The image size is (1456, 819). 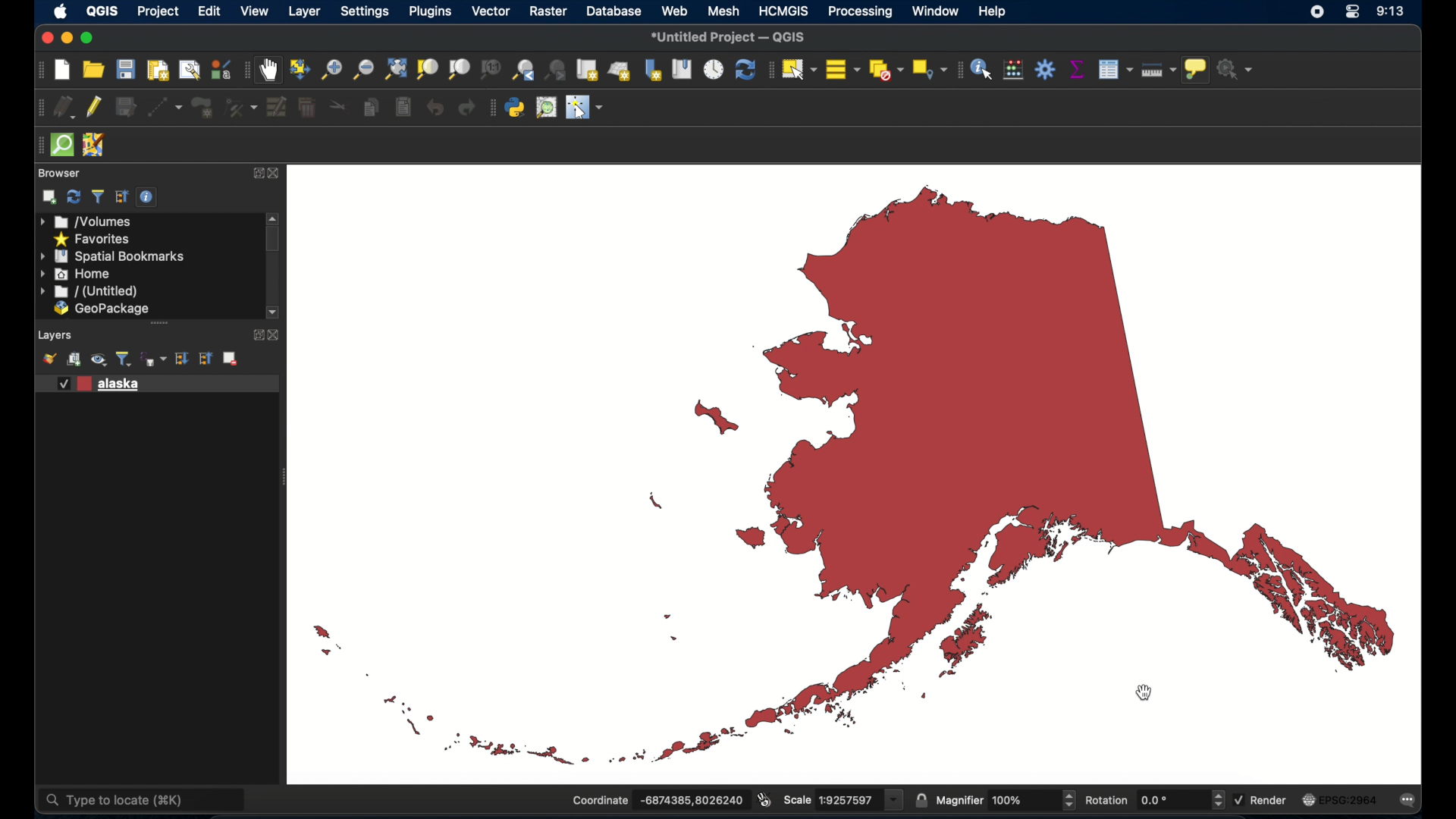 What do you see at coordinates (1317, 11) in the screenshot?
I see `screen recorder icon` at bounding box center [1317, 11].